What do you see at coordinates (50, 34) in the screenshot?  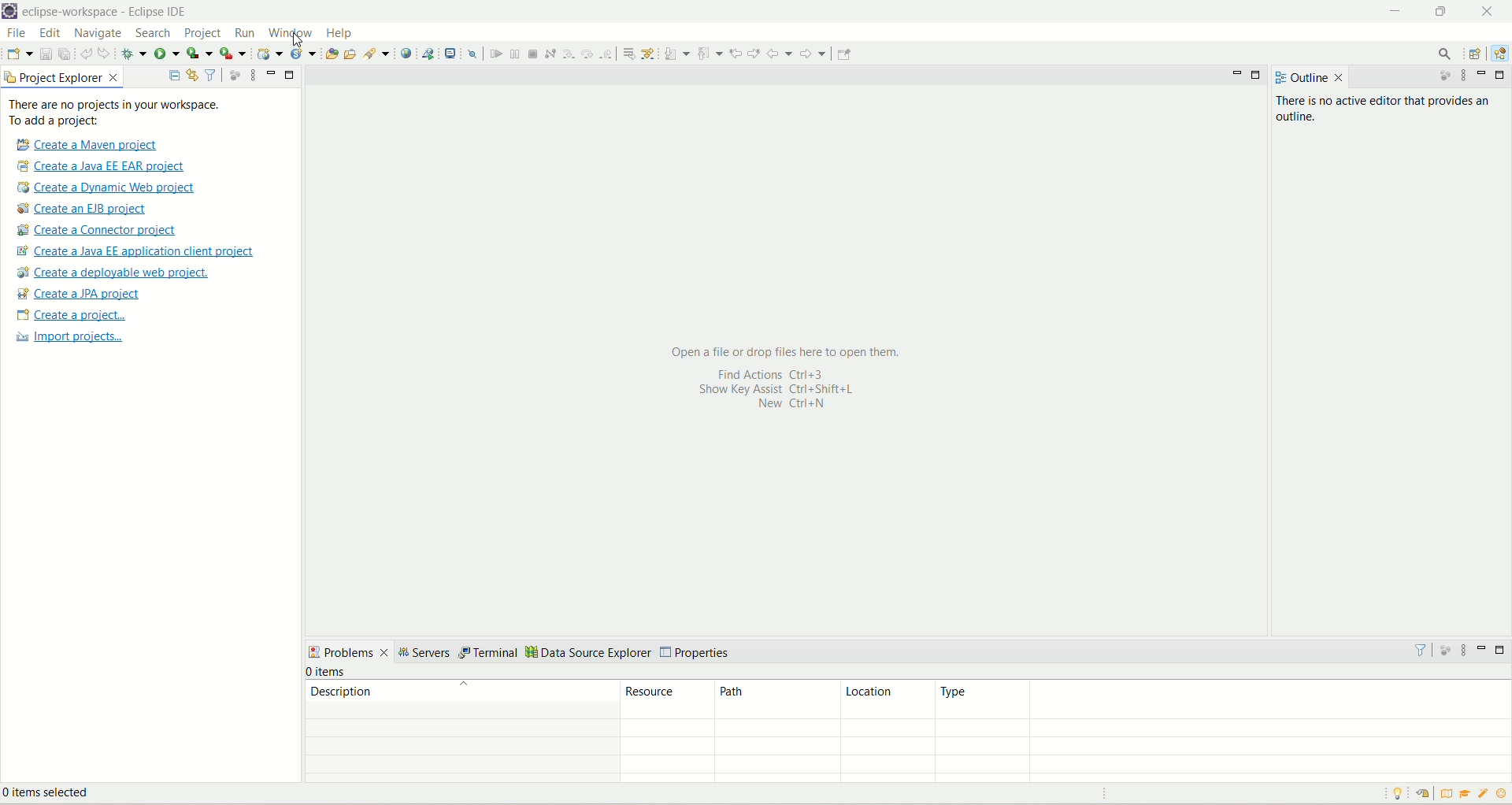 I see `edit` at bounding box center [50, 34].